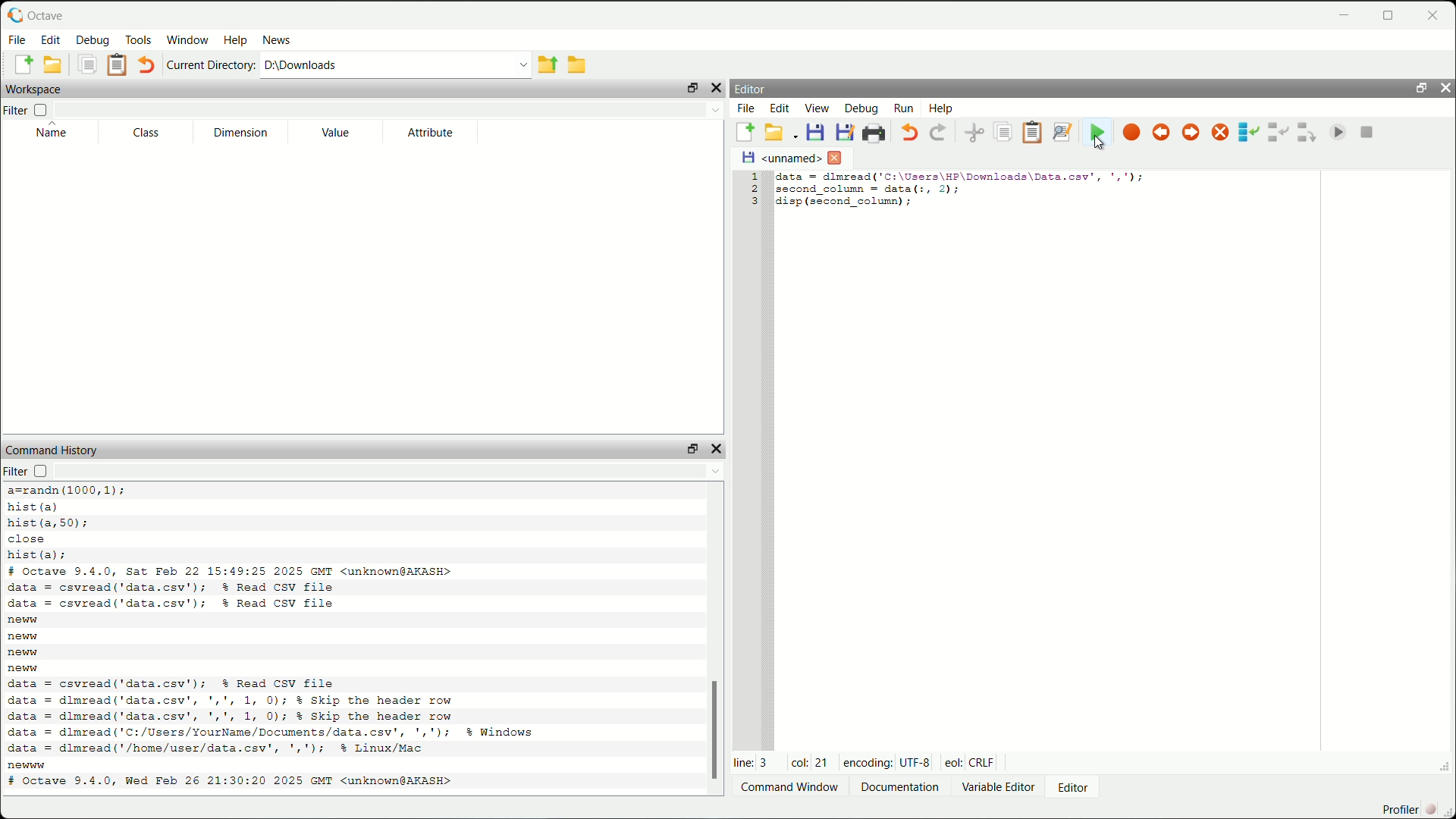 The height and width of the screenshot is (819, 1456). I want to click on filter input field, so click(397, 472).